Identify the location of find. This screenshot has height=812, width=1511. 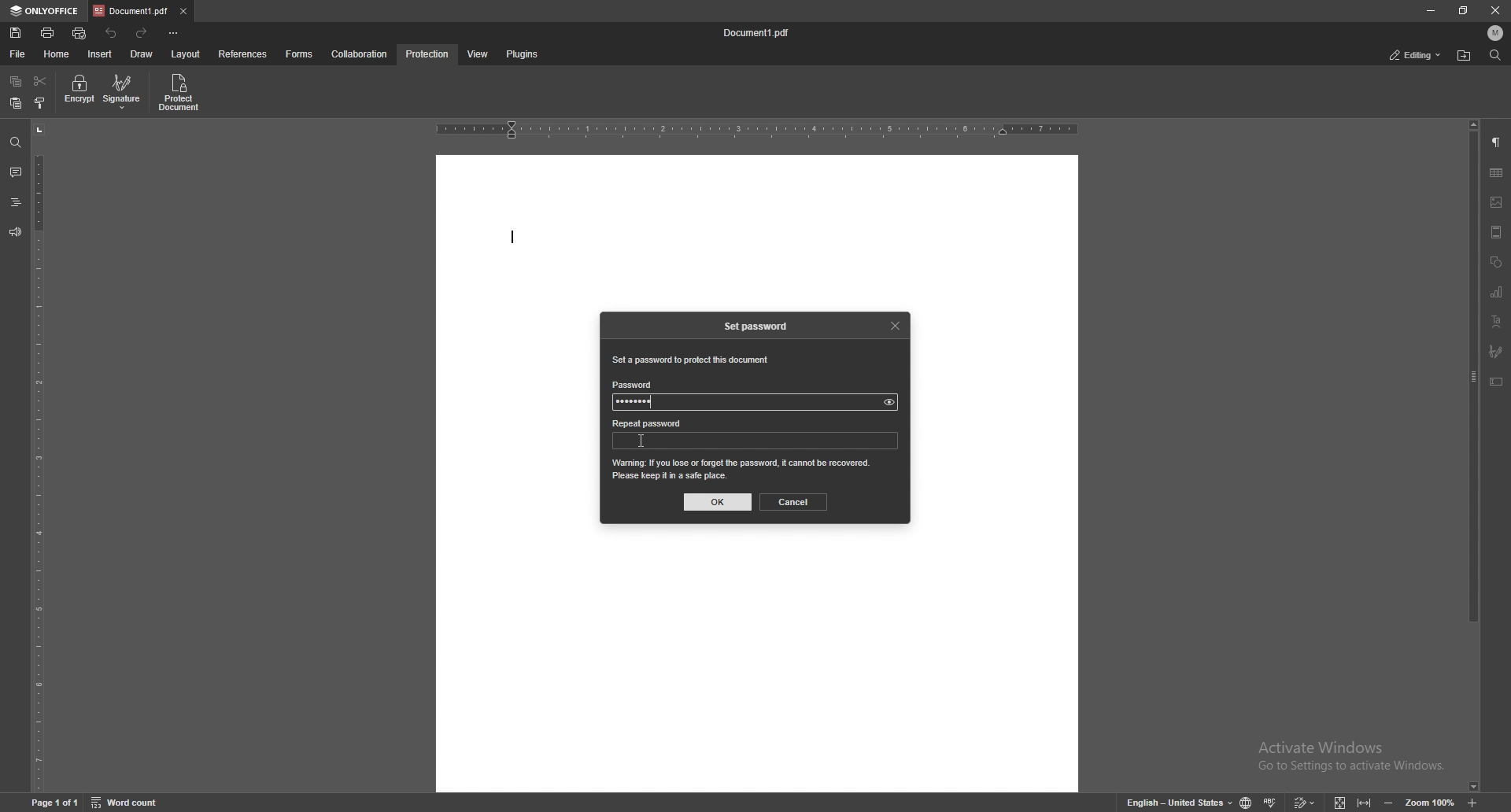
(15, 142).